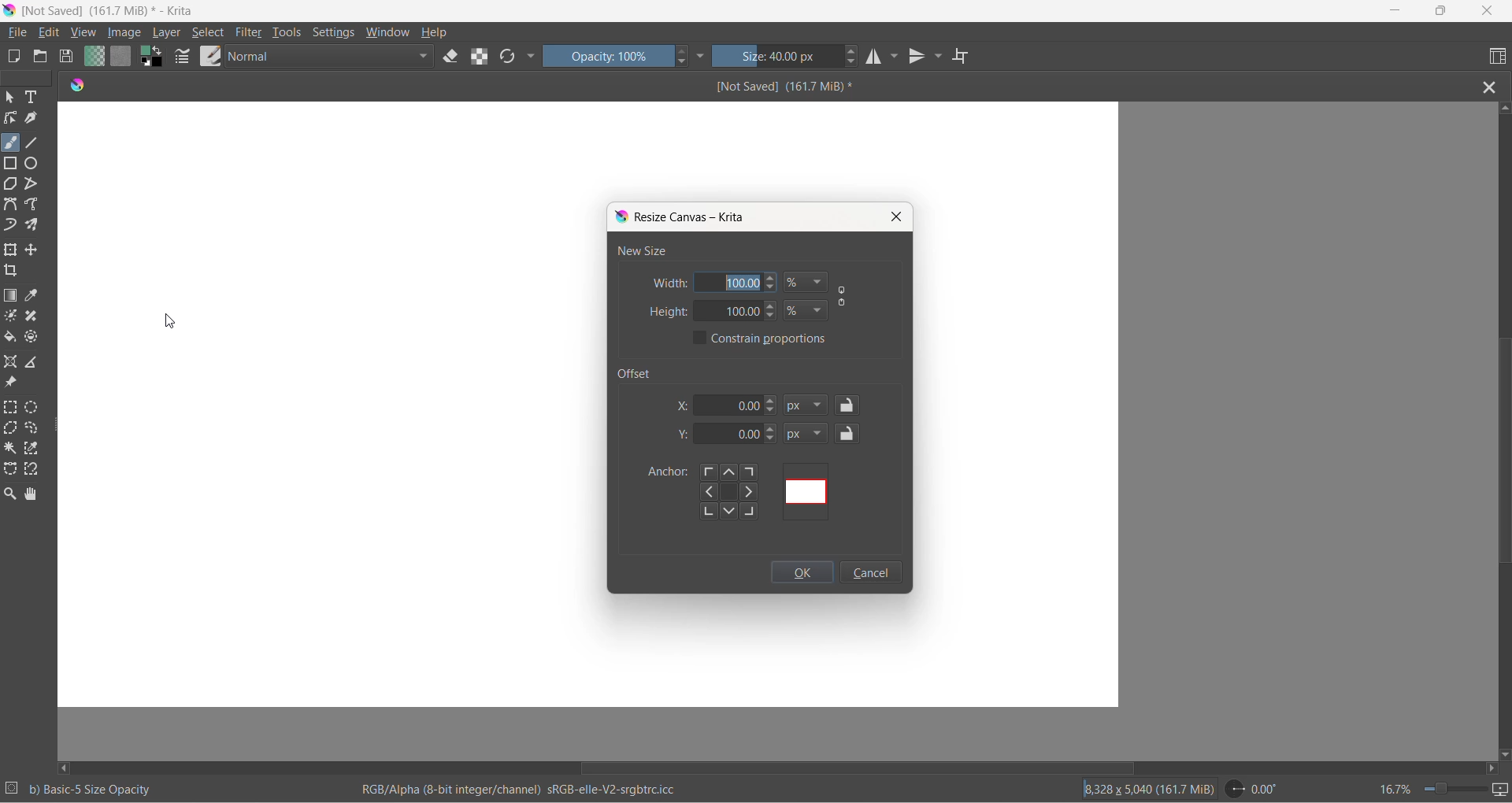 The width and height of the screenshot is (1512, 803). Describe the element at coordinates (332, 58) in the screenshot. I see `blenders mode` at that location.